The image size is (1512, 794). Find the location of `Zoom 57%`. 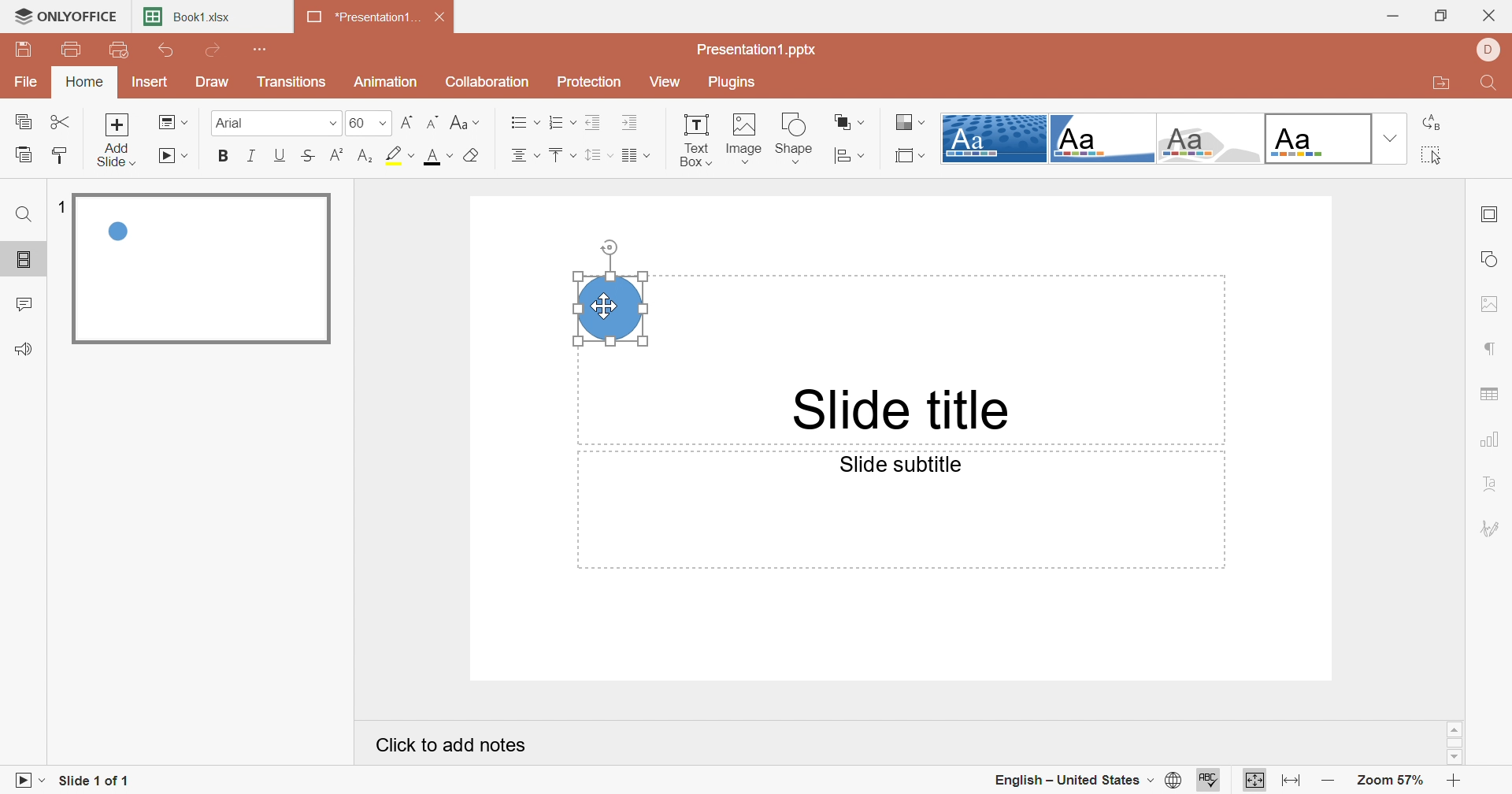

Zoom 57% is located at coordinates (1390, 780).